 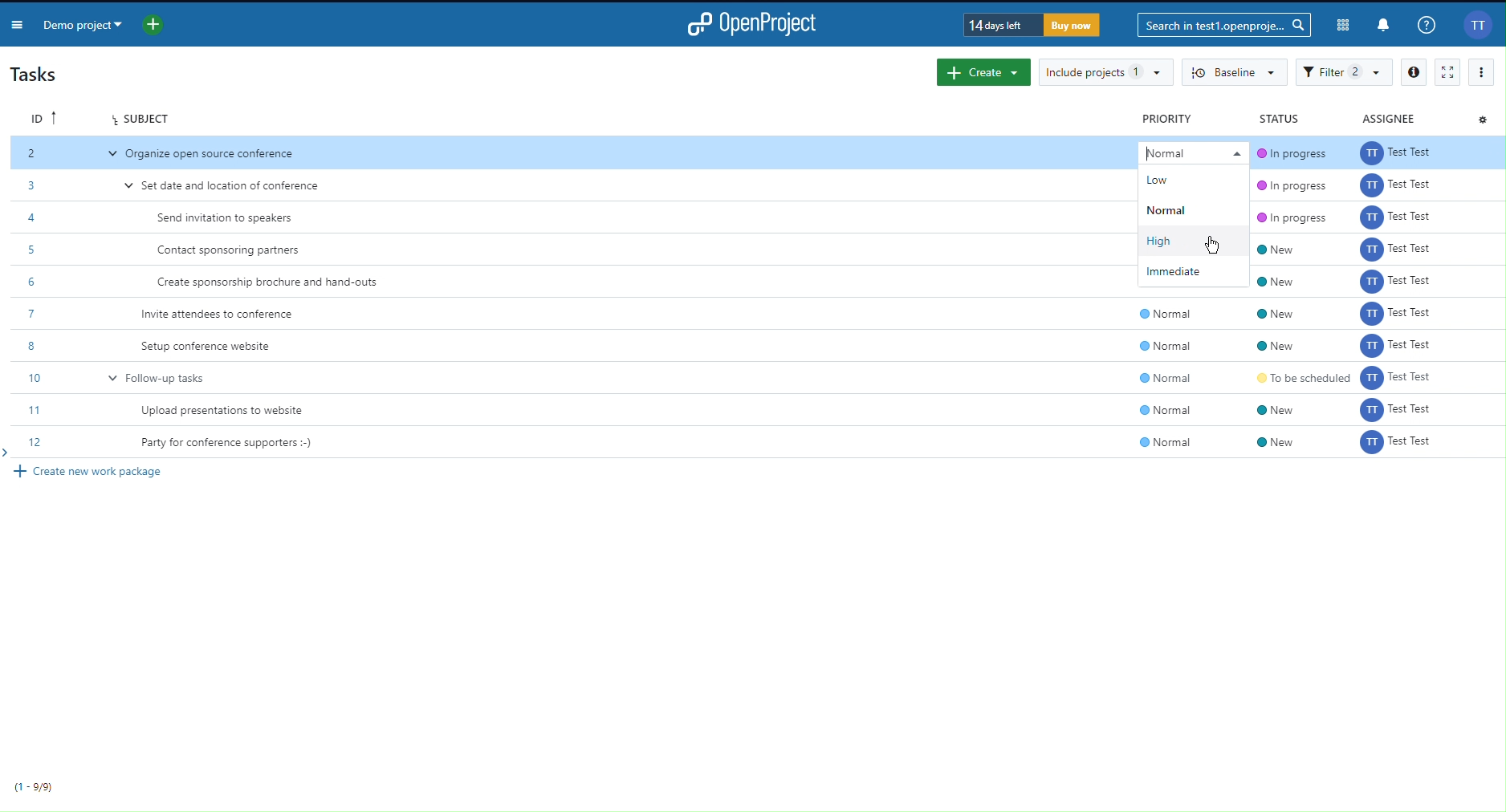 What do you see at coordinates (83, 23) in the screenshot?
I see `Demo Project` at bounding box center [83, 23].